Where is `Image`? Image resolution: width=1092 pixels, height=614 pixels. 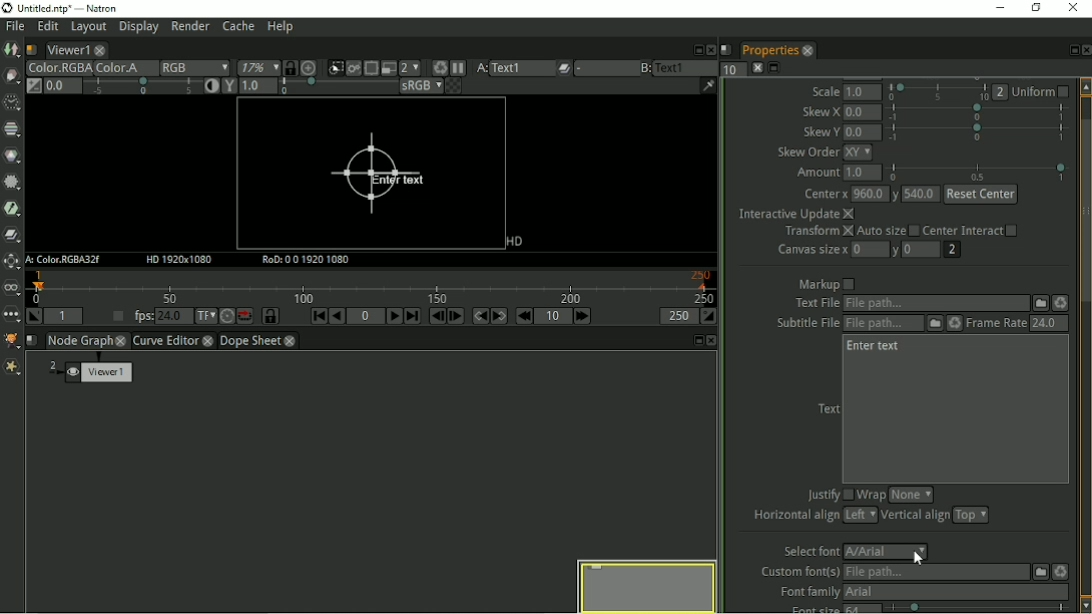 Image is located at coordinates (12, 51).